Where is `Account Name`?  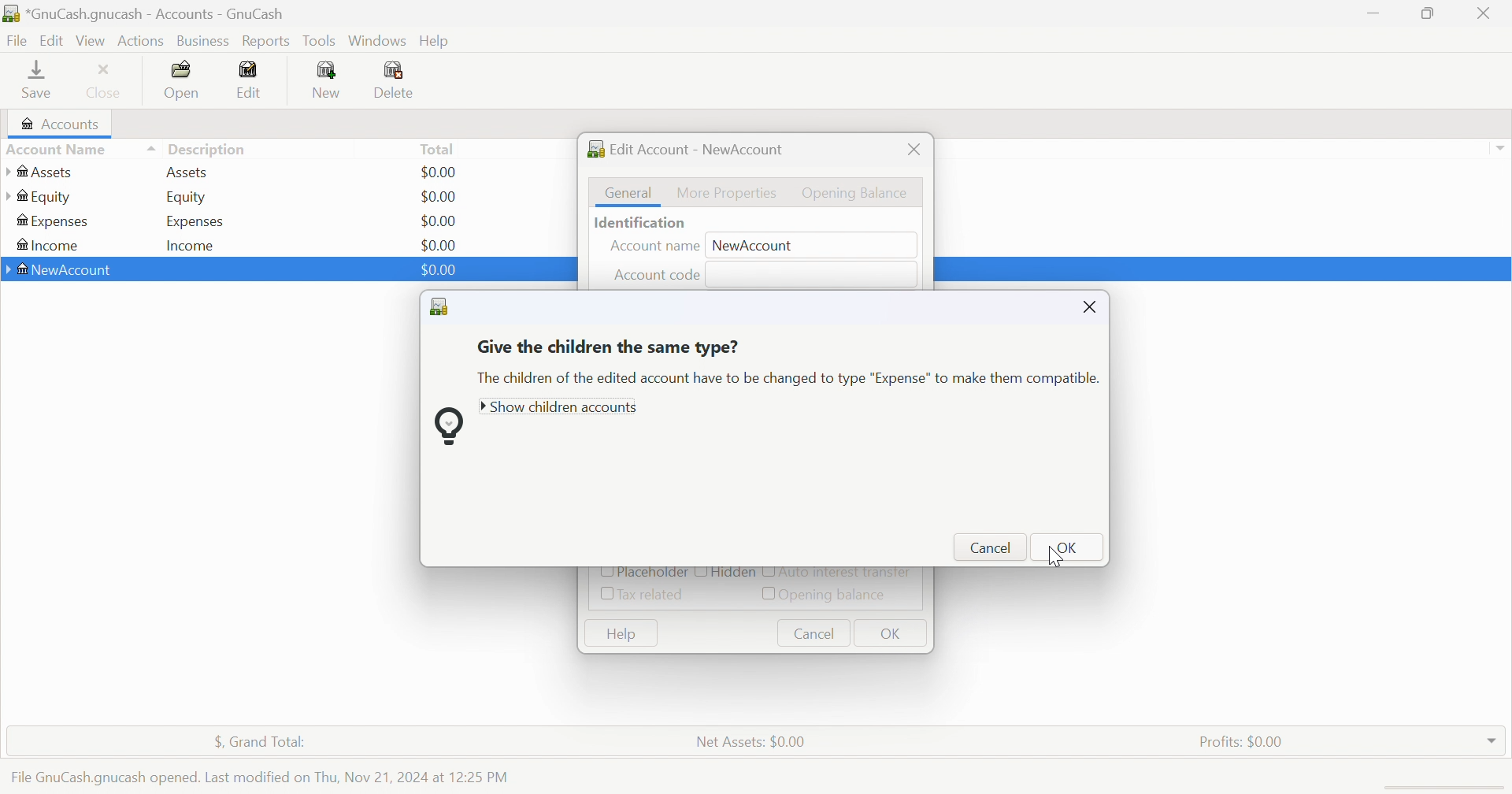 Account Name is located at coordinates (80, 150).